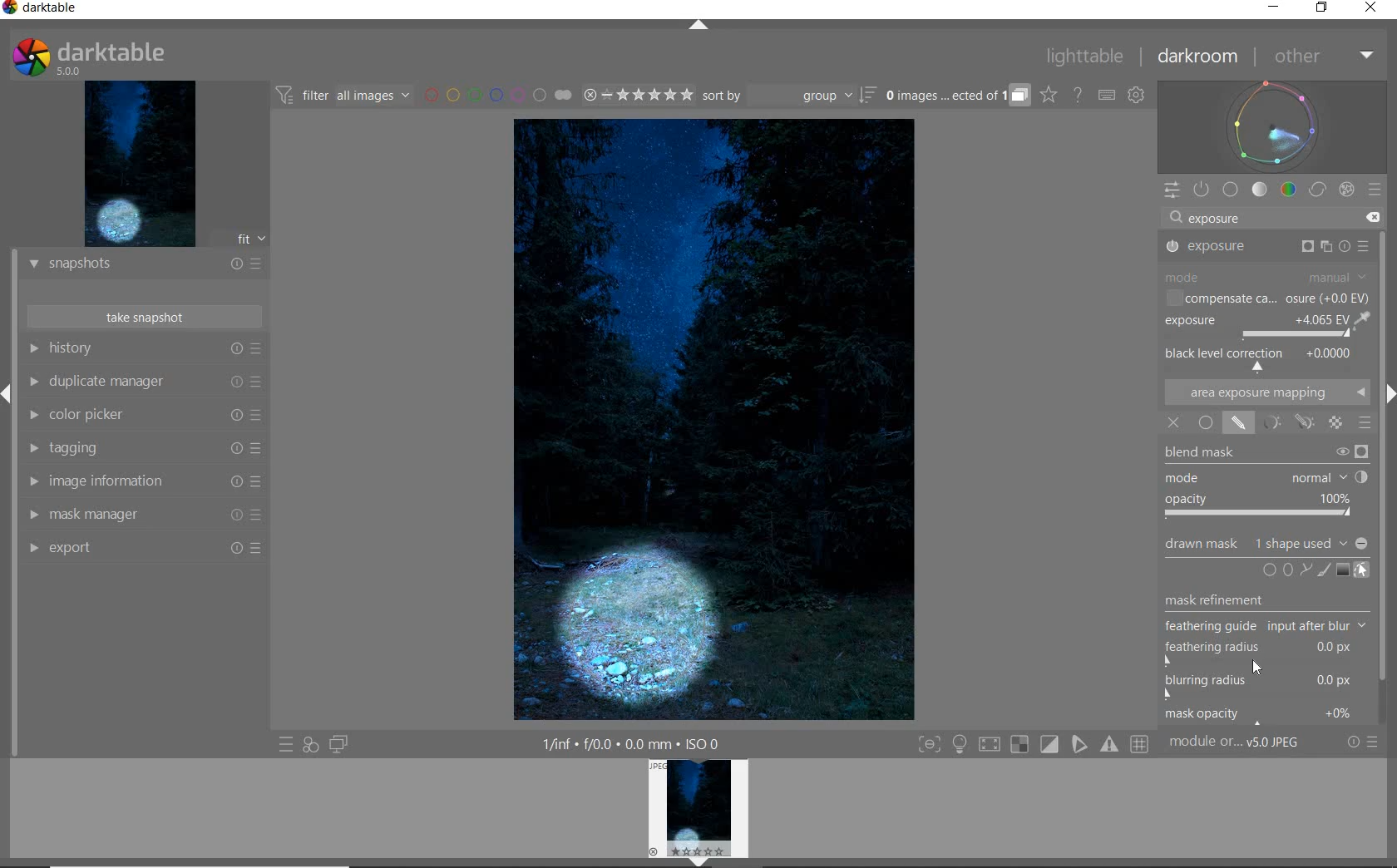 Image resolution: width=1397 pixels, height=868 pixels. What do you see at coordinates (1365, 423) in the screenshot?
I see `BLENDING OPTIONS` at bounding box center [1365, 423].